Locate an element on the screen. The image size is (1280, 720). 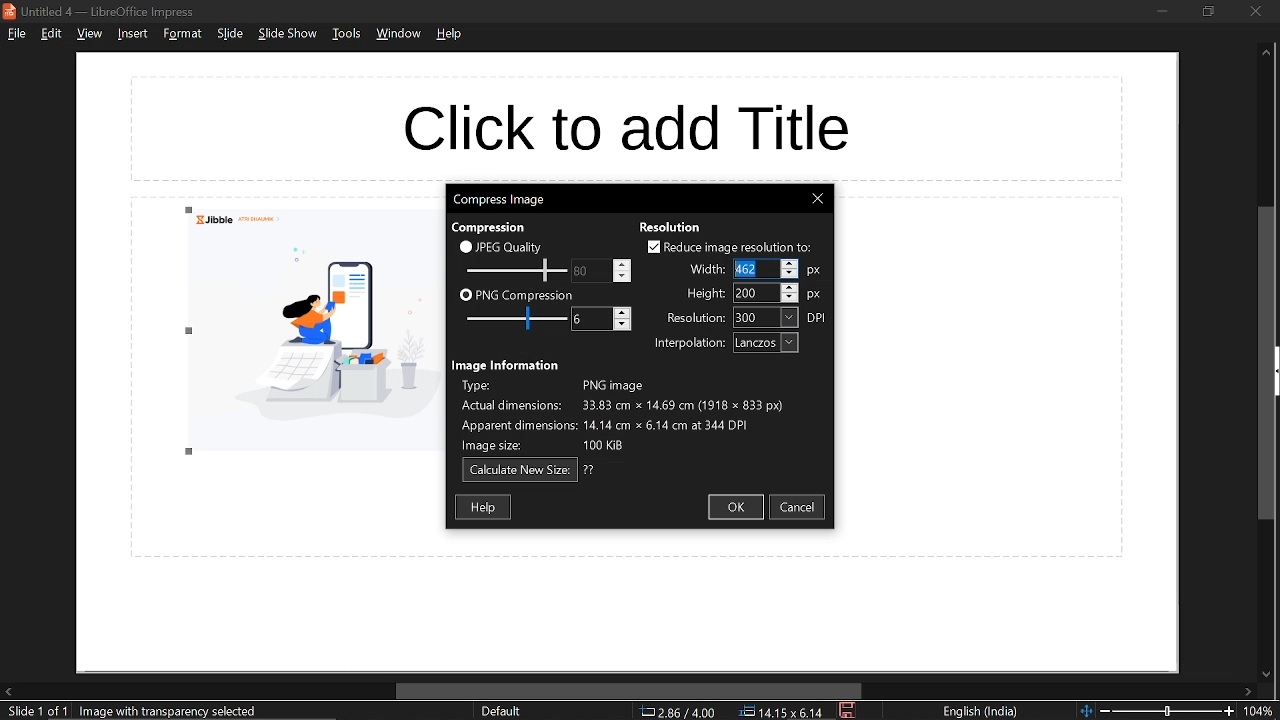
width unit: px is located at coordinates (813, 272).